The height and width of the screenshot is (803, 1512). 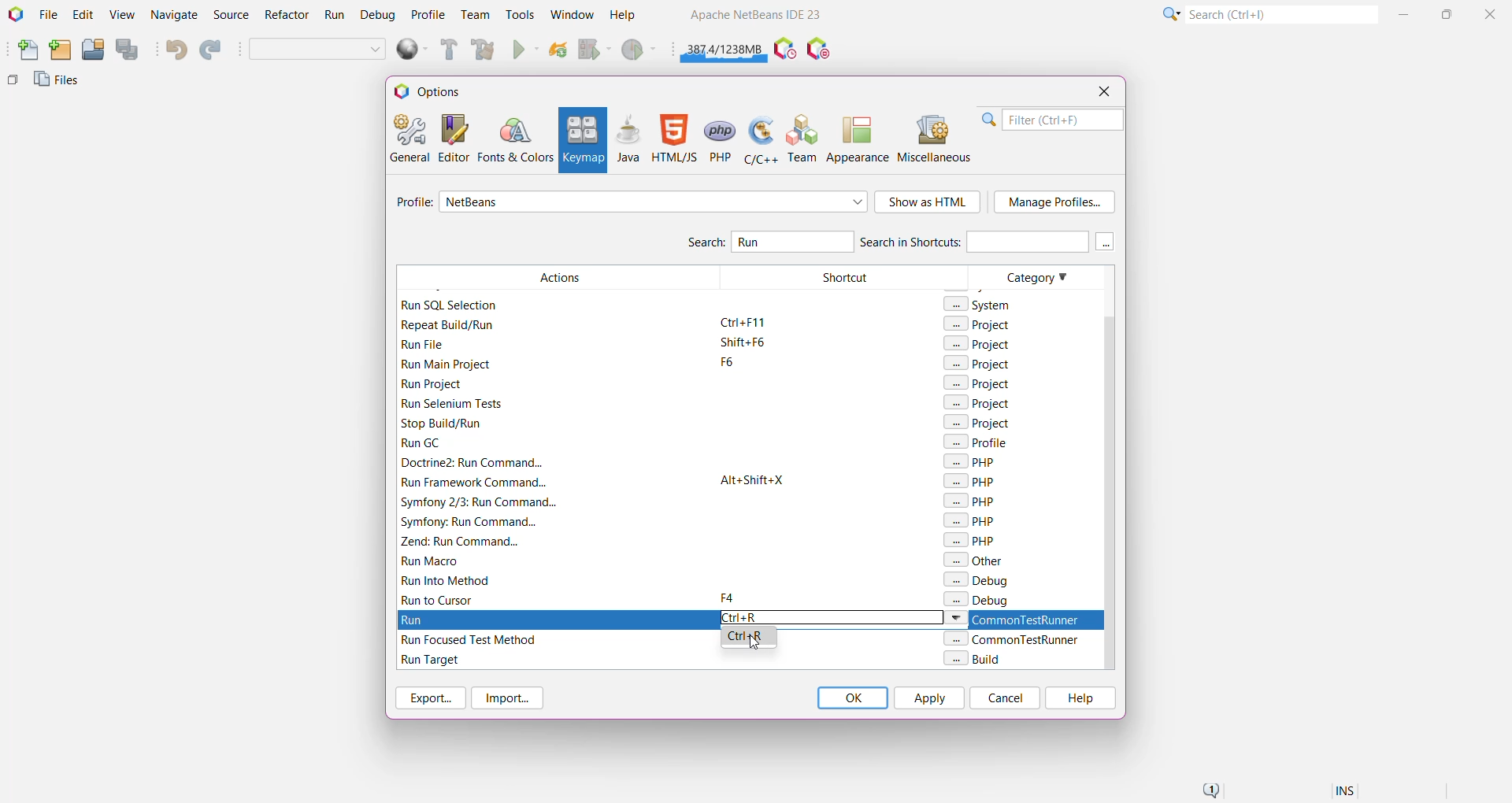 What do you see at coordinates (759, 139) in the screenshot?
I see `C/C++` at bounding box center [759, 139].